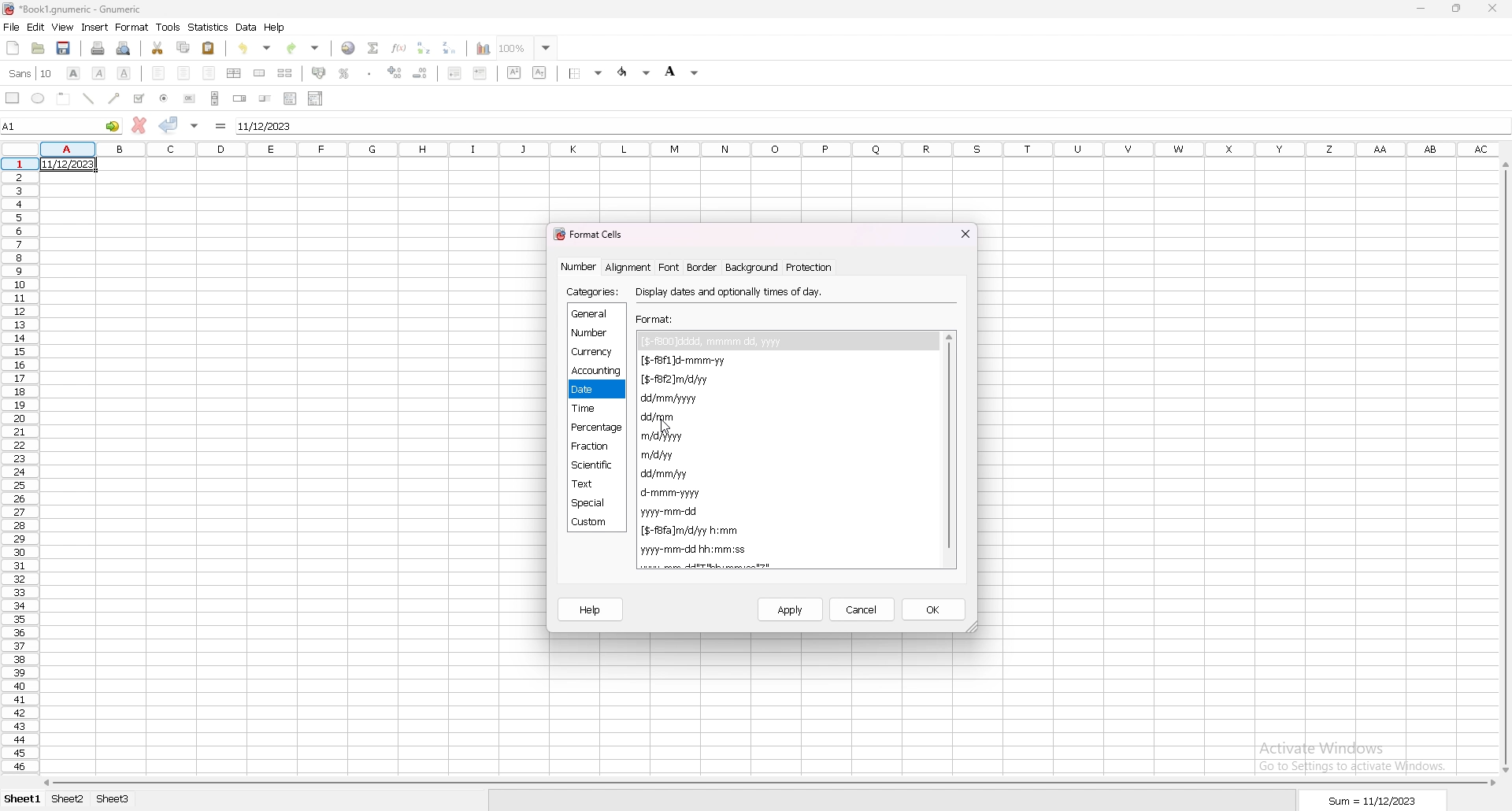  What do you see at coordinates (207, 49) in the screenshot?
I see `paste` at bounding box center [207, 49].